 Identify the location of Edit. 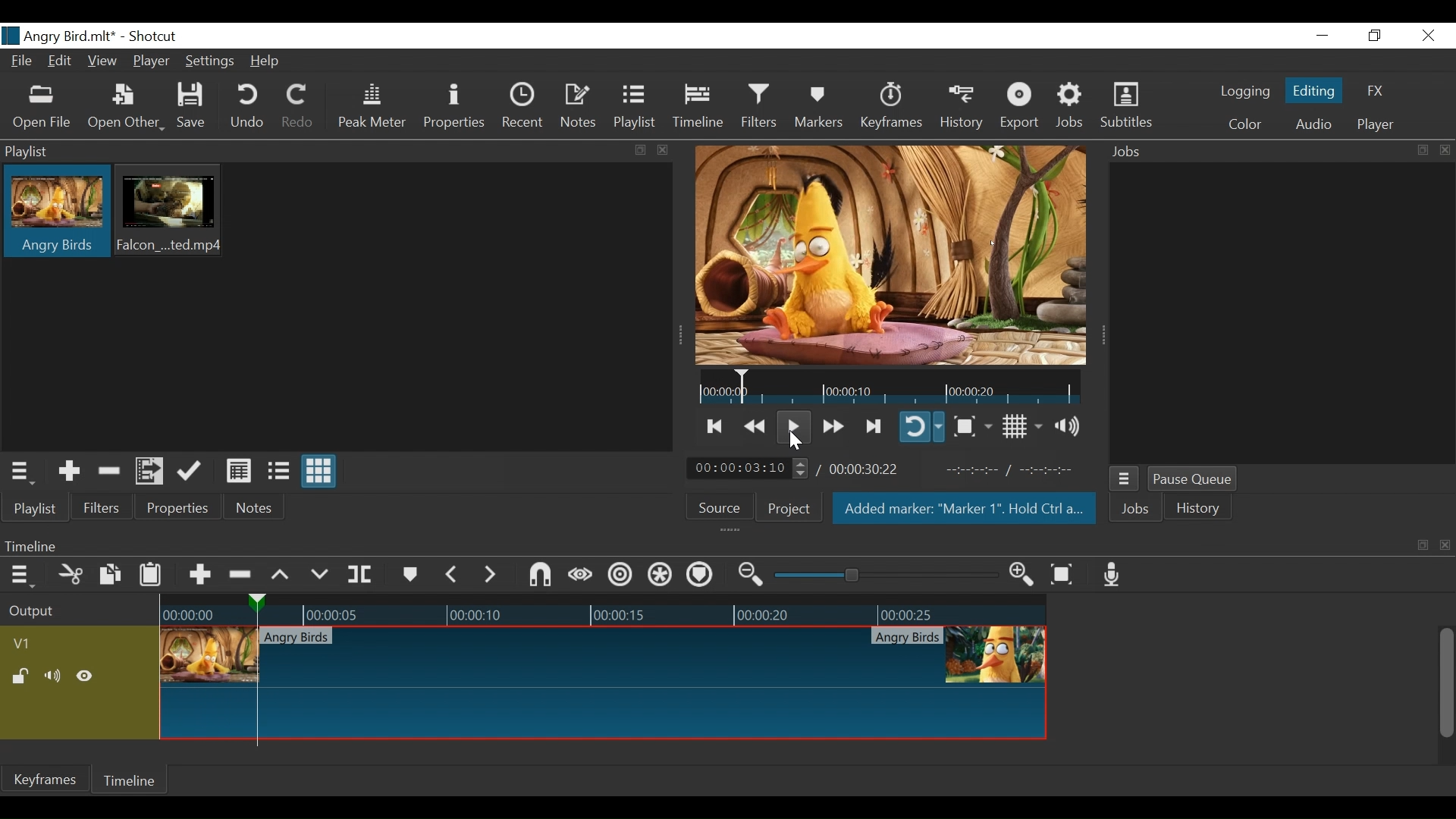
(61, 62).